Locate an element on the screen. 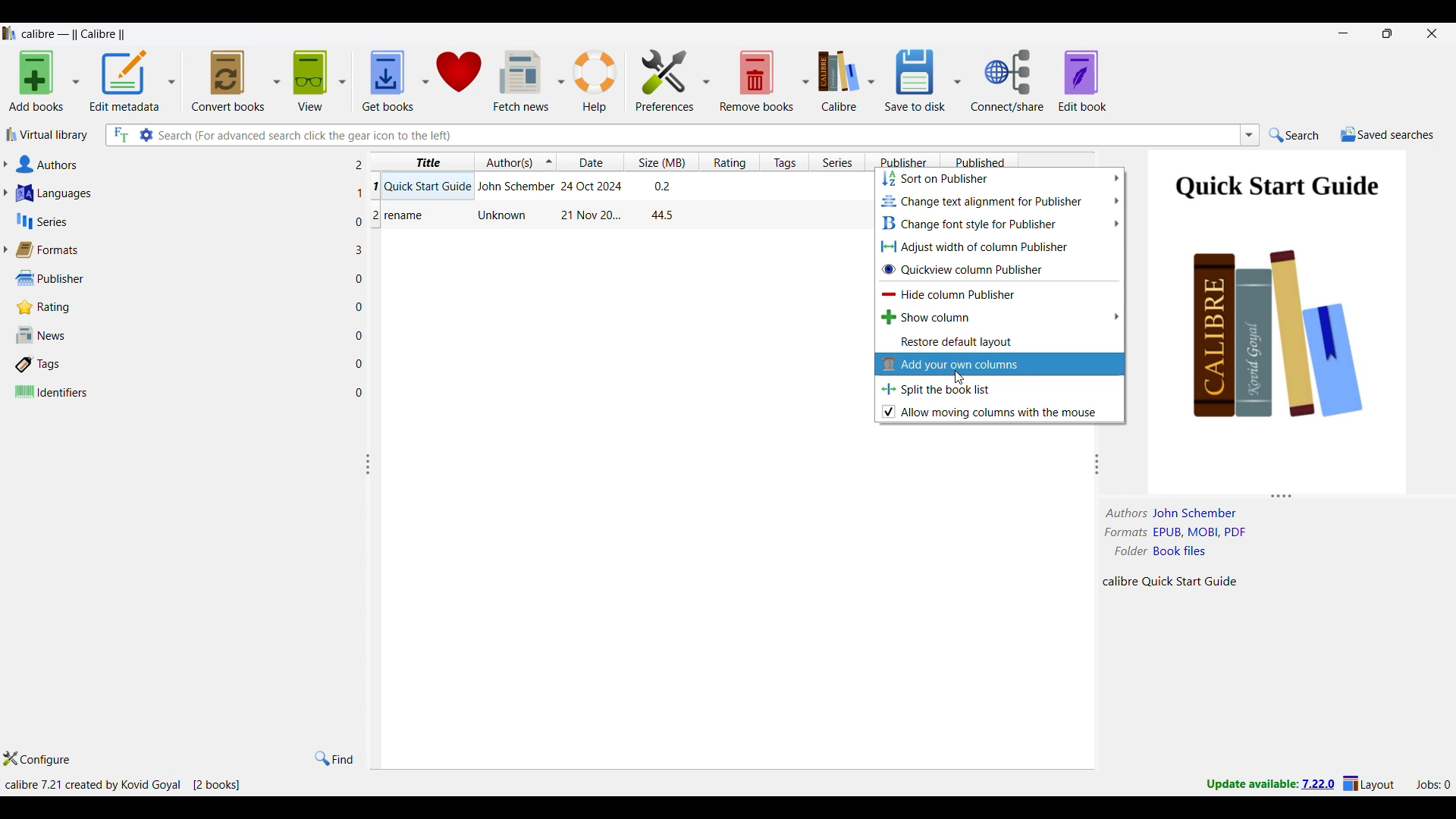 Image resolution: width=1456 pixels, height=819 pixels. Show column options is located at coordinates (1000, 316).